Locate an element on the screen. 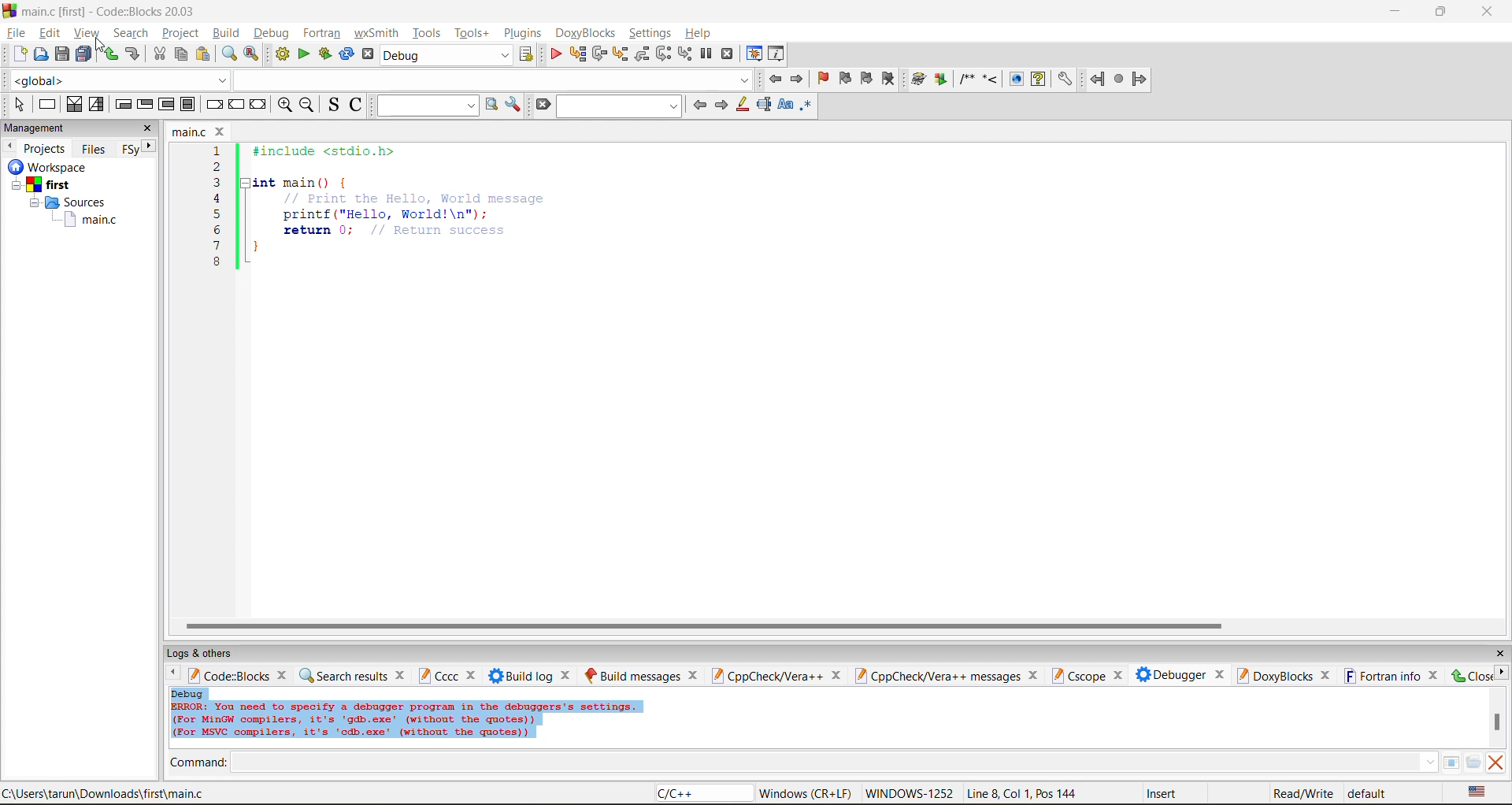 This screenshot has width=1512, height=805. management is located at coordinates (50, 128).